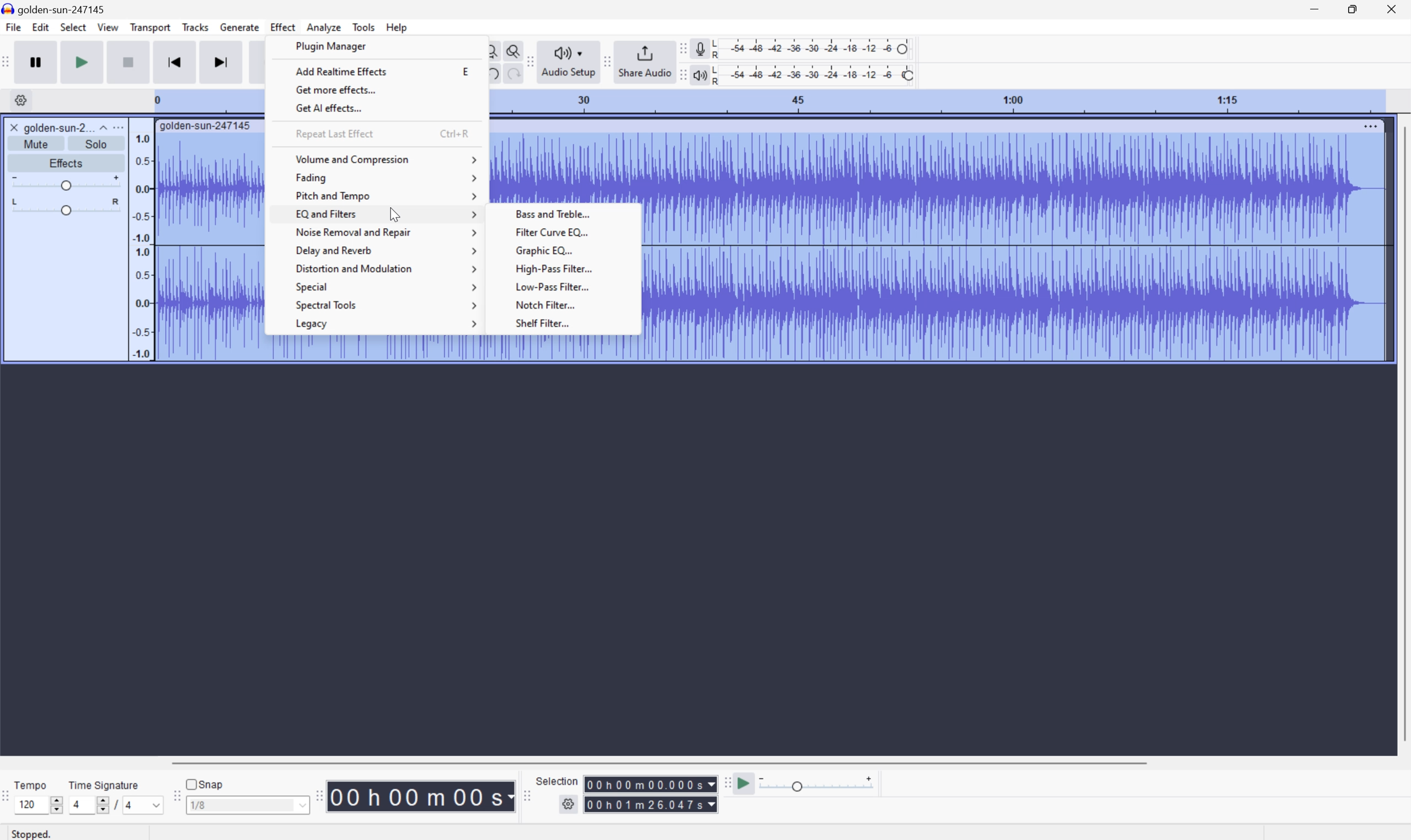  Describe the element at coordinates (650, 784) in the screenshot. I see `` at that location.